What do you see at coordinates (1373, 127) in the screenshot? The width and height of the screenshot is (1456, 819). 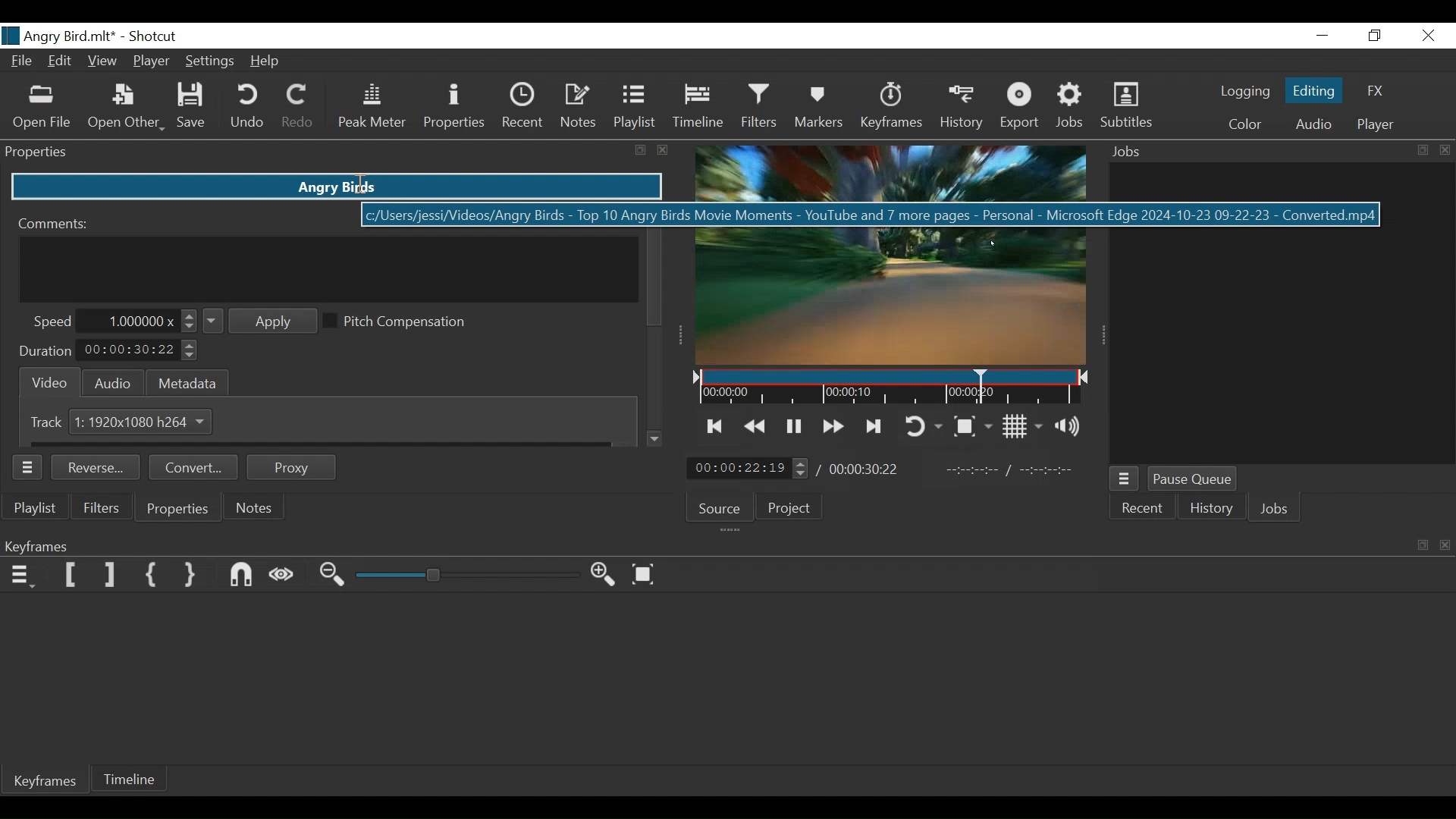 I see `player` at bounding box center [1373, 127].